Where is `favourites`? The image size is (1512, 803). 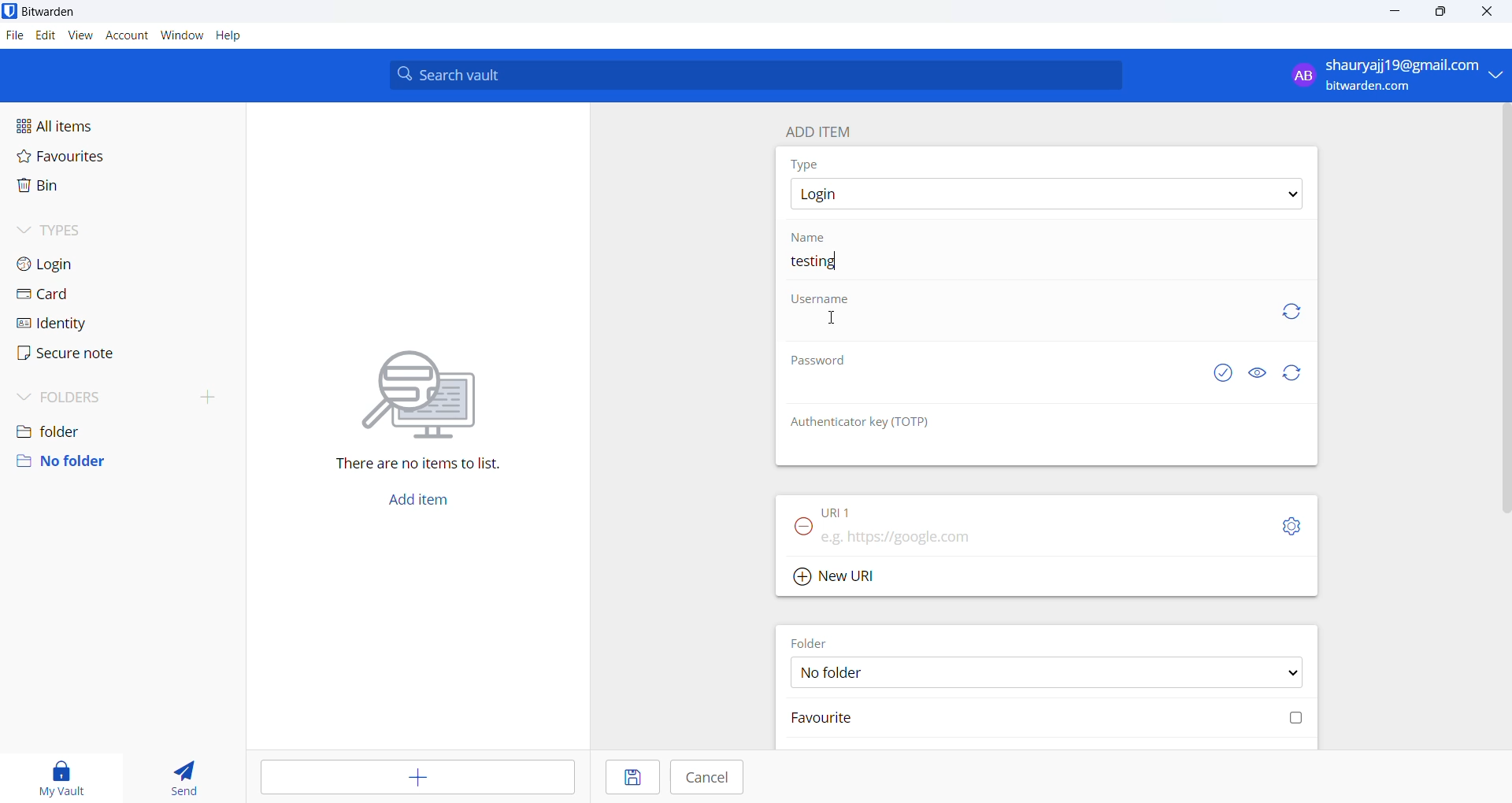
favourites is located at coordinates (89, 156).